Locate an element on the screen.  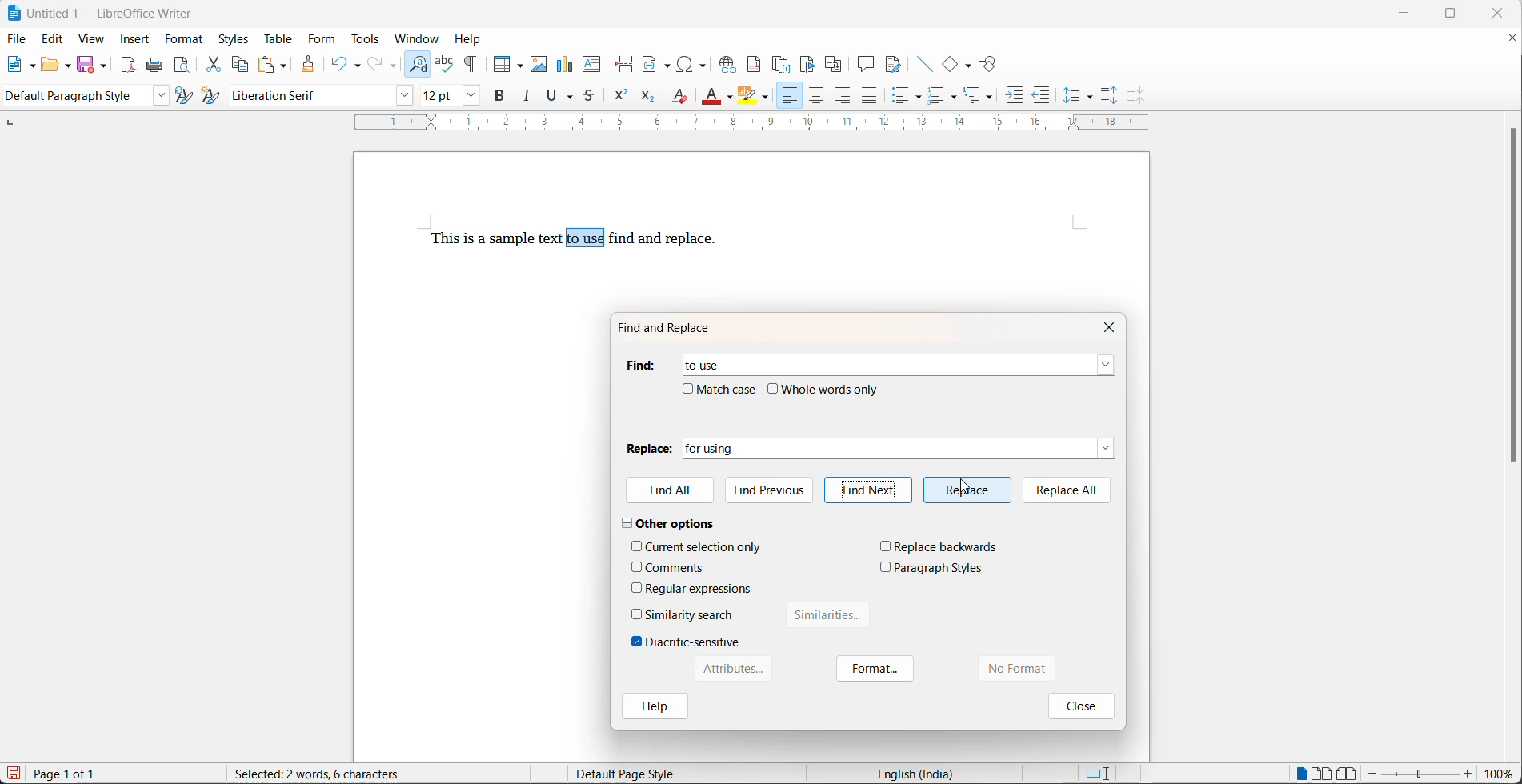
undo options is located at coordinates (356, 64).